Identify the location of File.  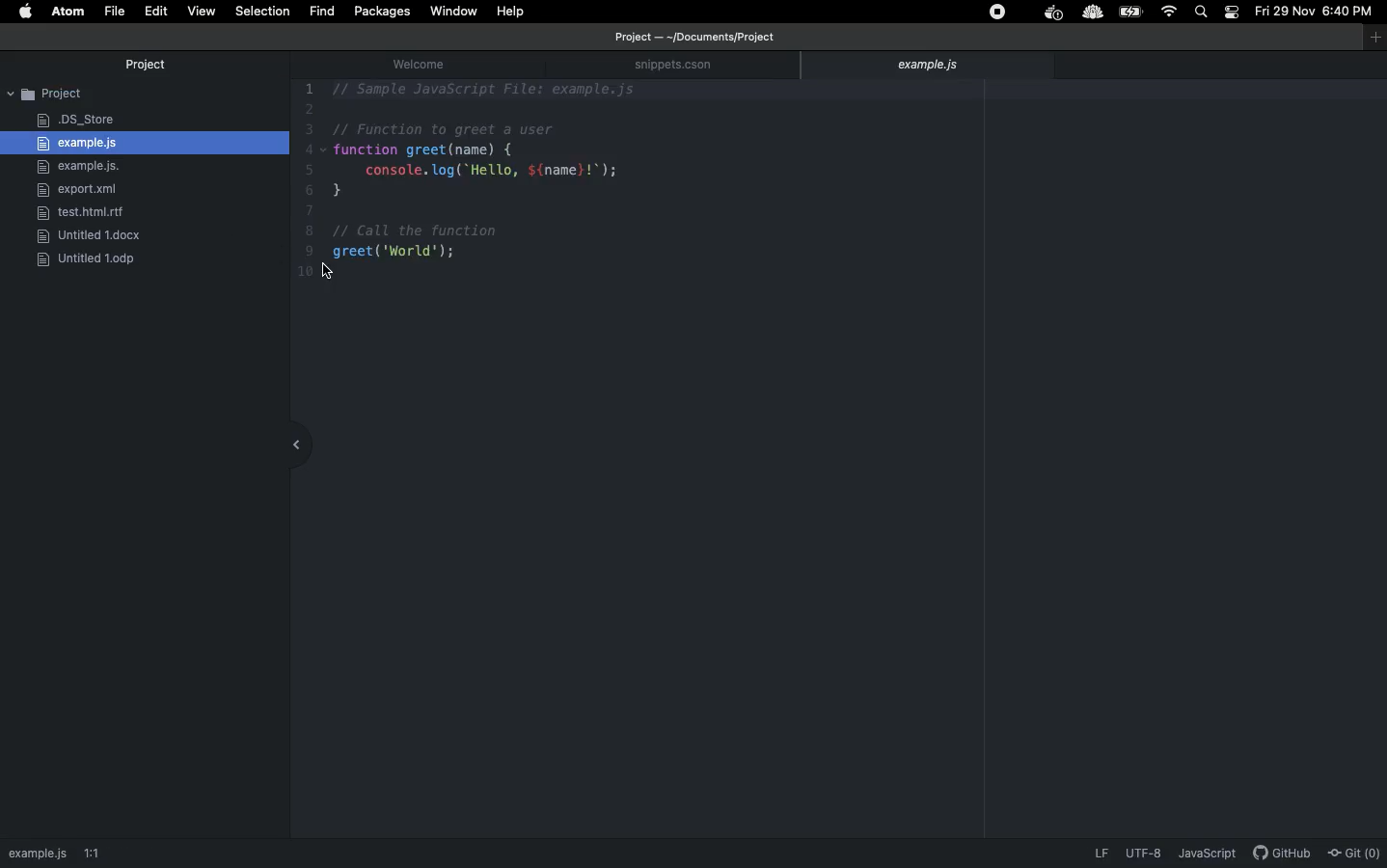
(115, 12).